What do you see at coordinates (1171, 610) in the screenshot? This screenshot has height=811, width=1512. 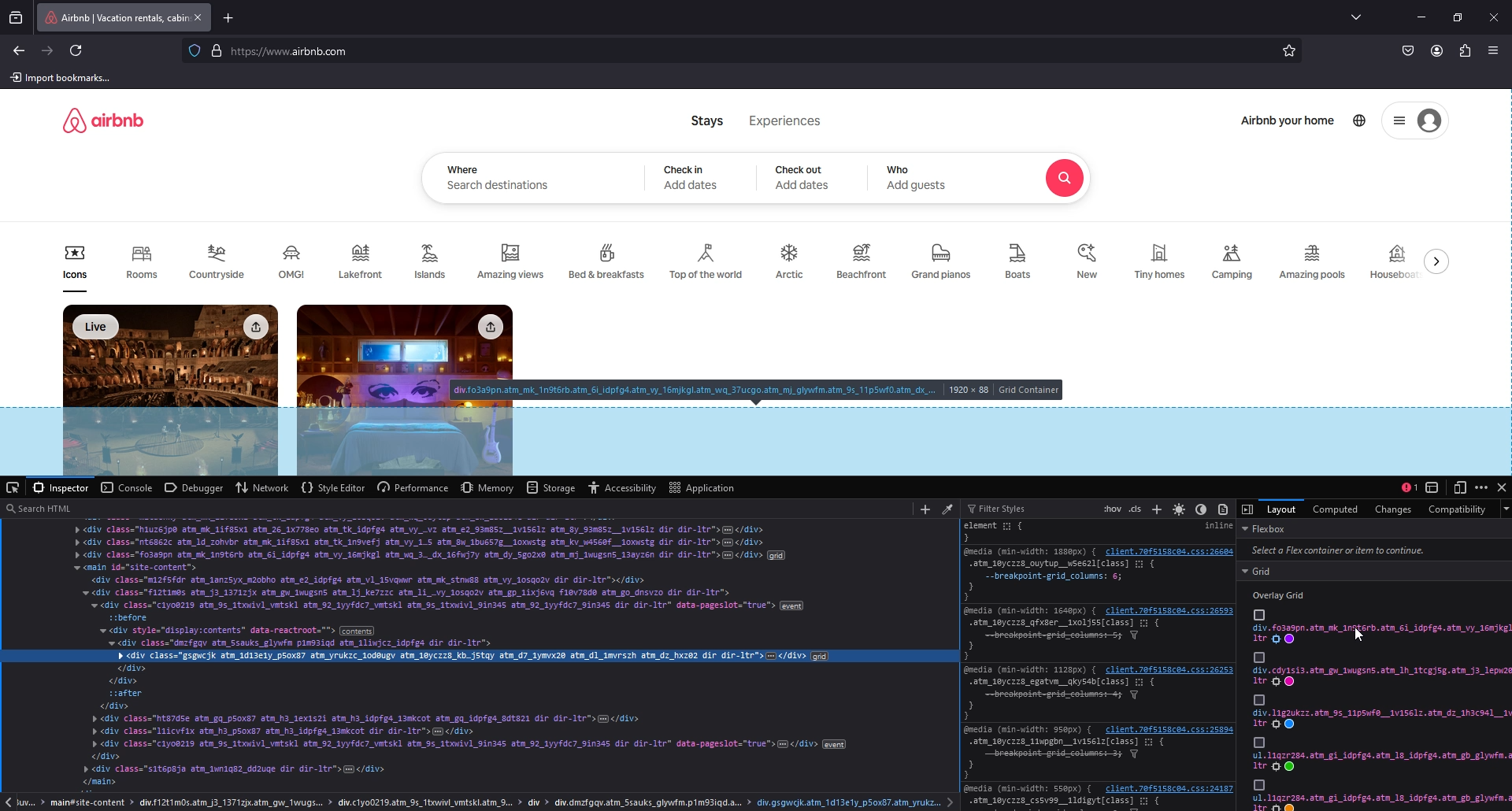 I see `link` at bounding box center [1171, 610].